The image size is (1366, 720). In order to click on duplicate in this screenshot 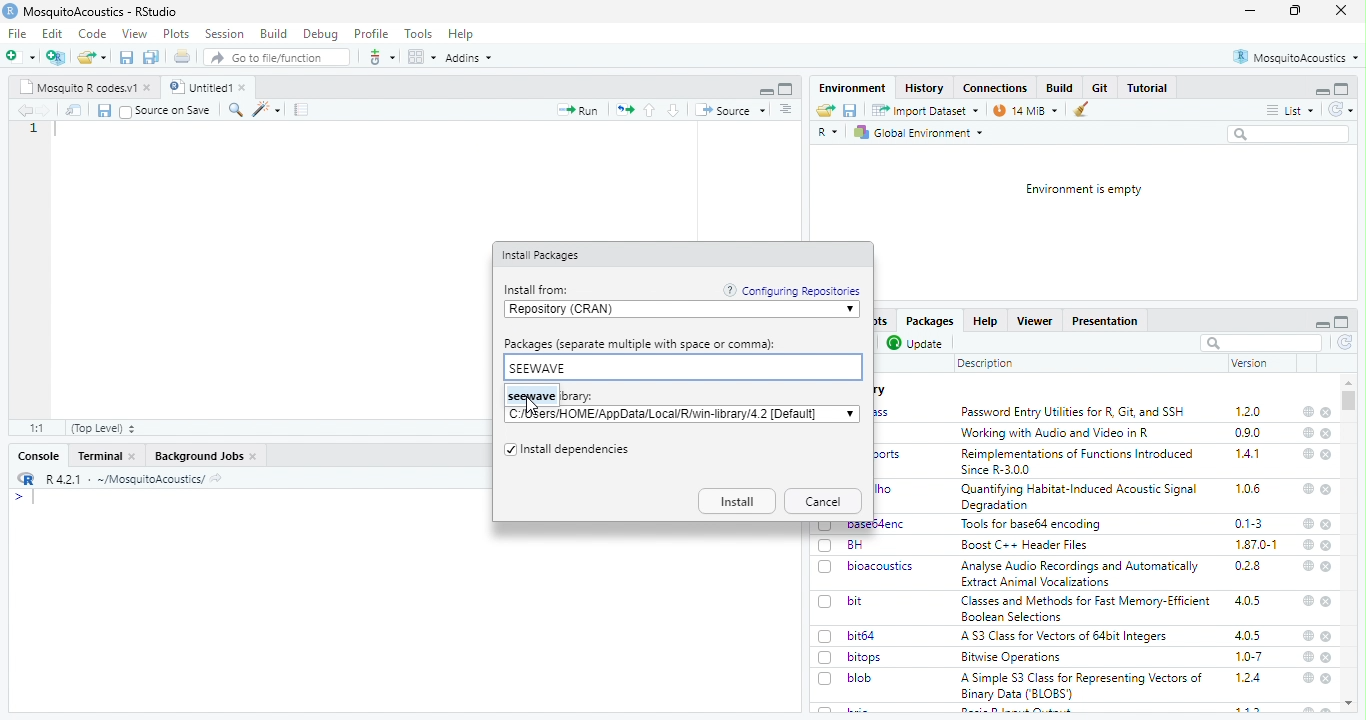, I will do `click(152, 57)`.